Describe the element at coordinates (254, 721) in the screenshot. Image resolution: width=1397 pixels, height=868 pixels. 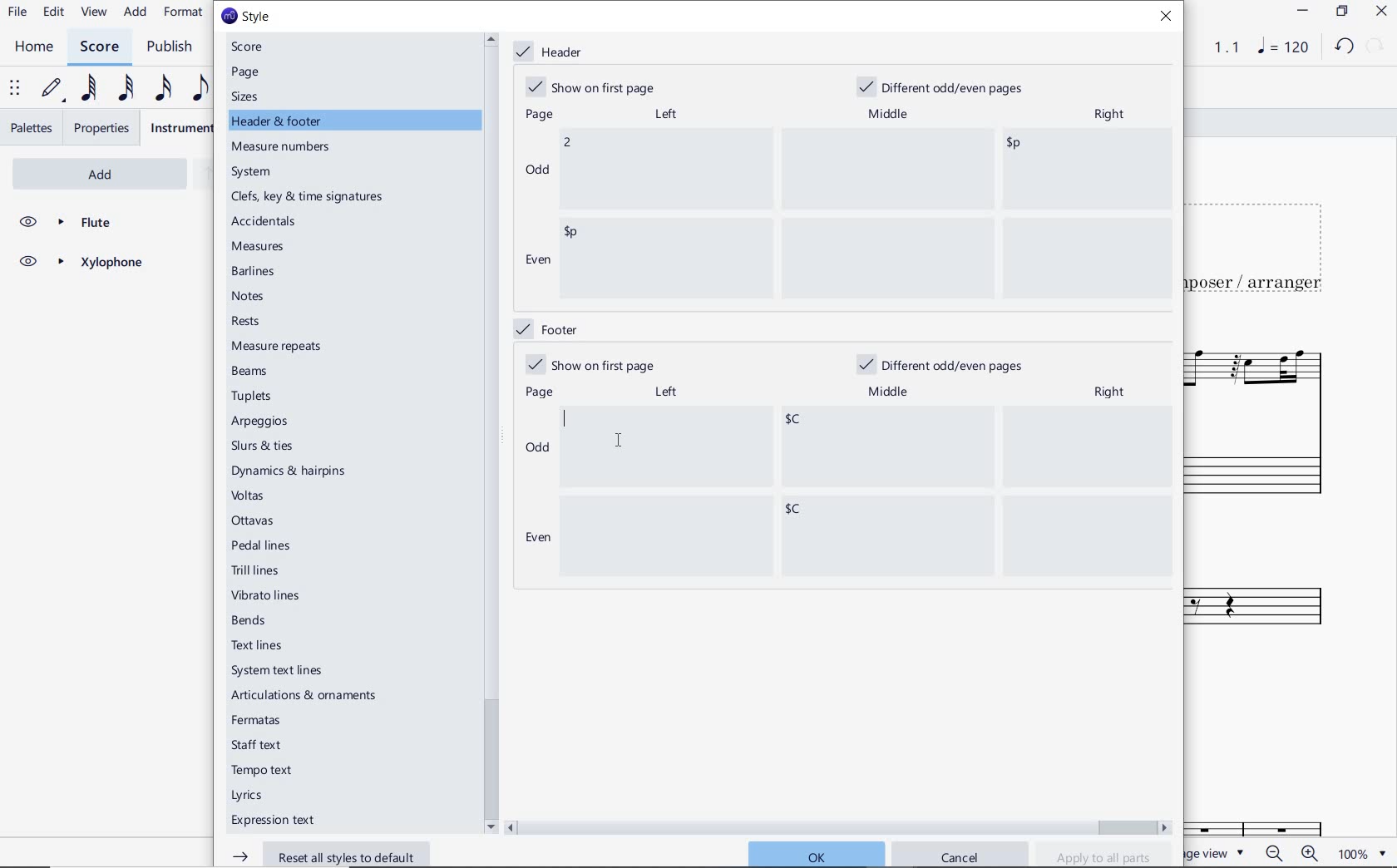
I see `fermatas` at that location.